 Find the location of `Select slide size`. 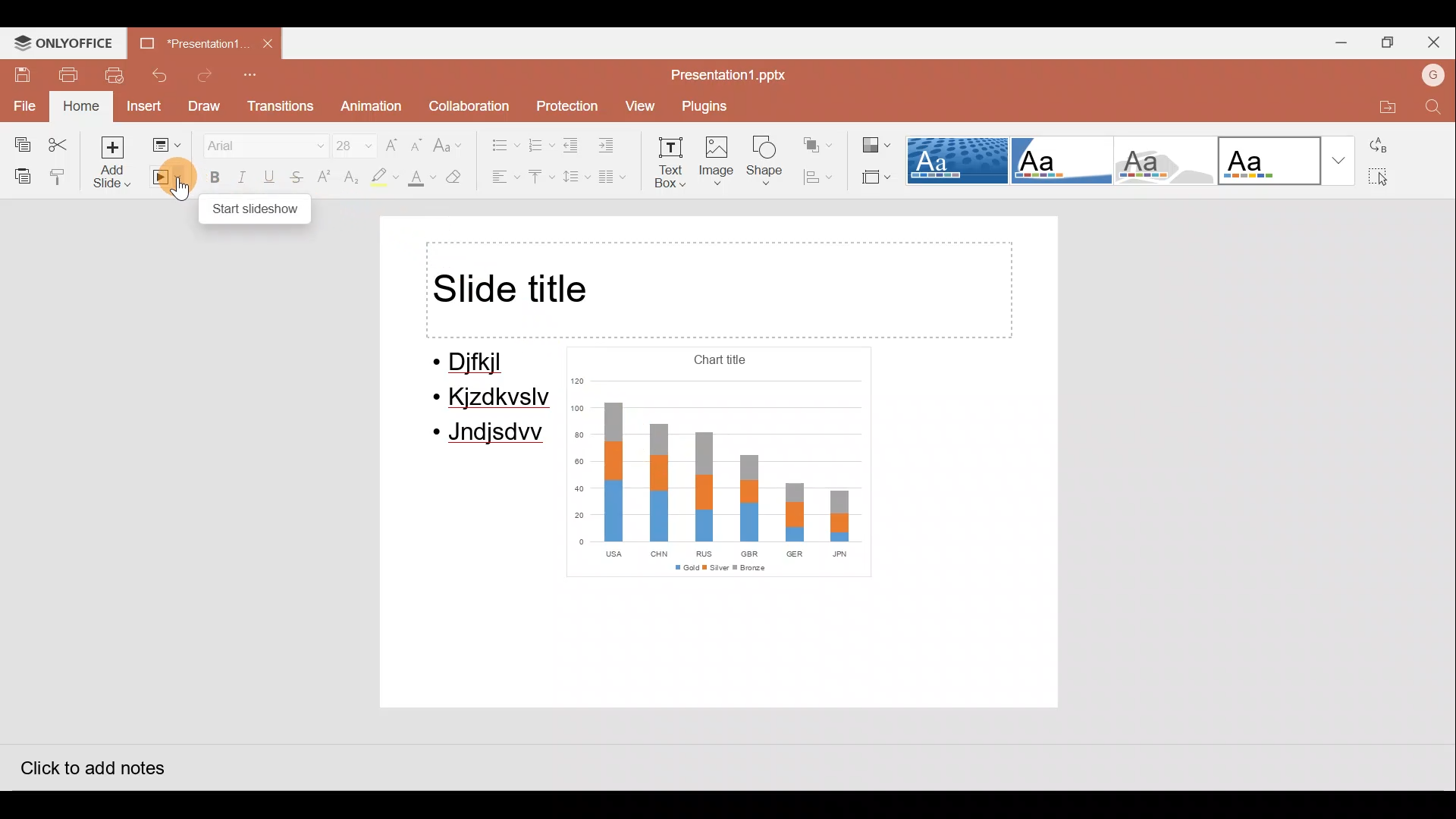

Select slide size is located at coordinates (875, 178).